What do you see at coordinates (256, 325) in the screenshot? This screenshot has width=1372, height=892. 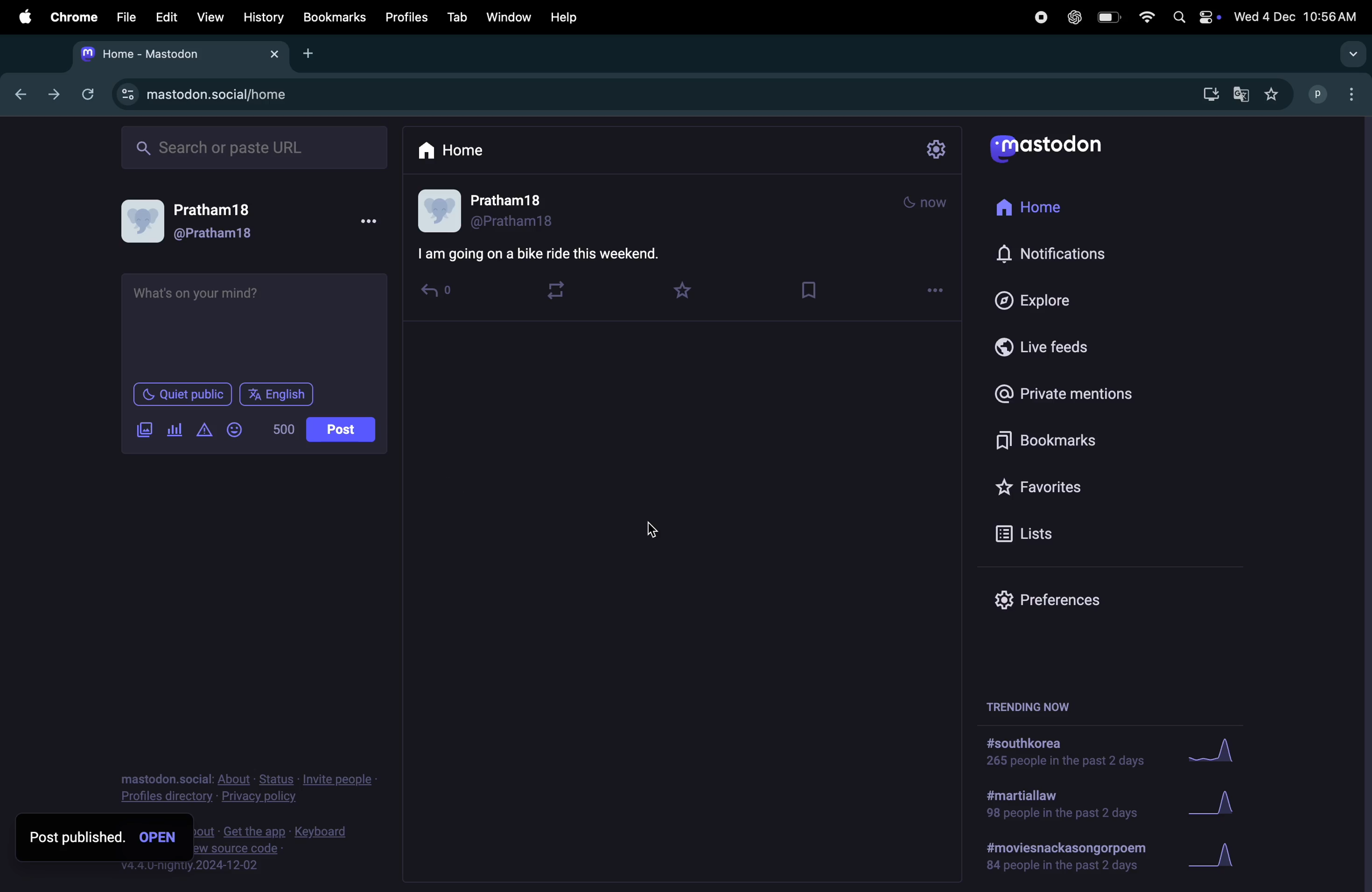 I see `textbox` at bounding box center [256, 325].